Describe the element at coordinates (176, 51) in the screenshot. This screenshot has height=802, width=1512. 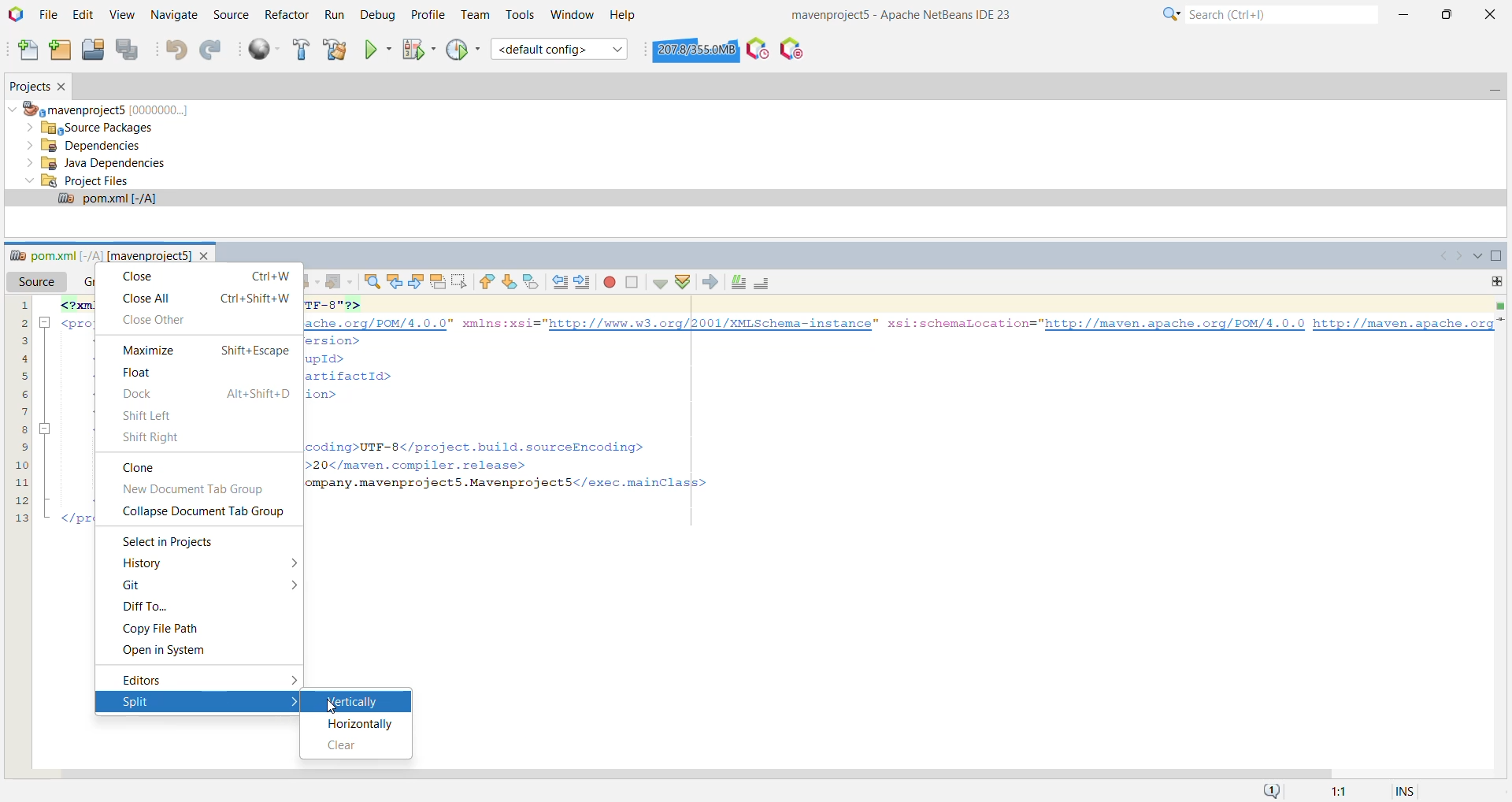
I see `Undo` at that location.